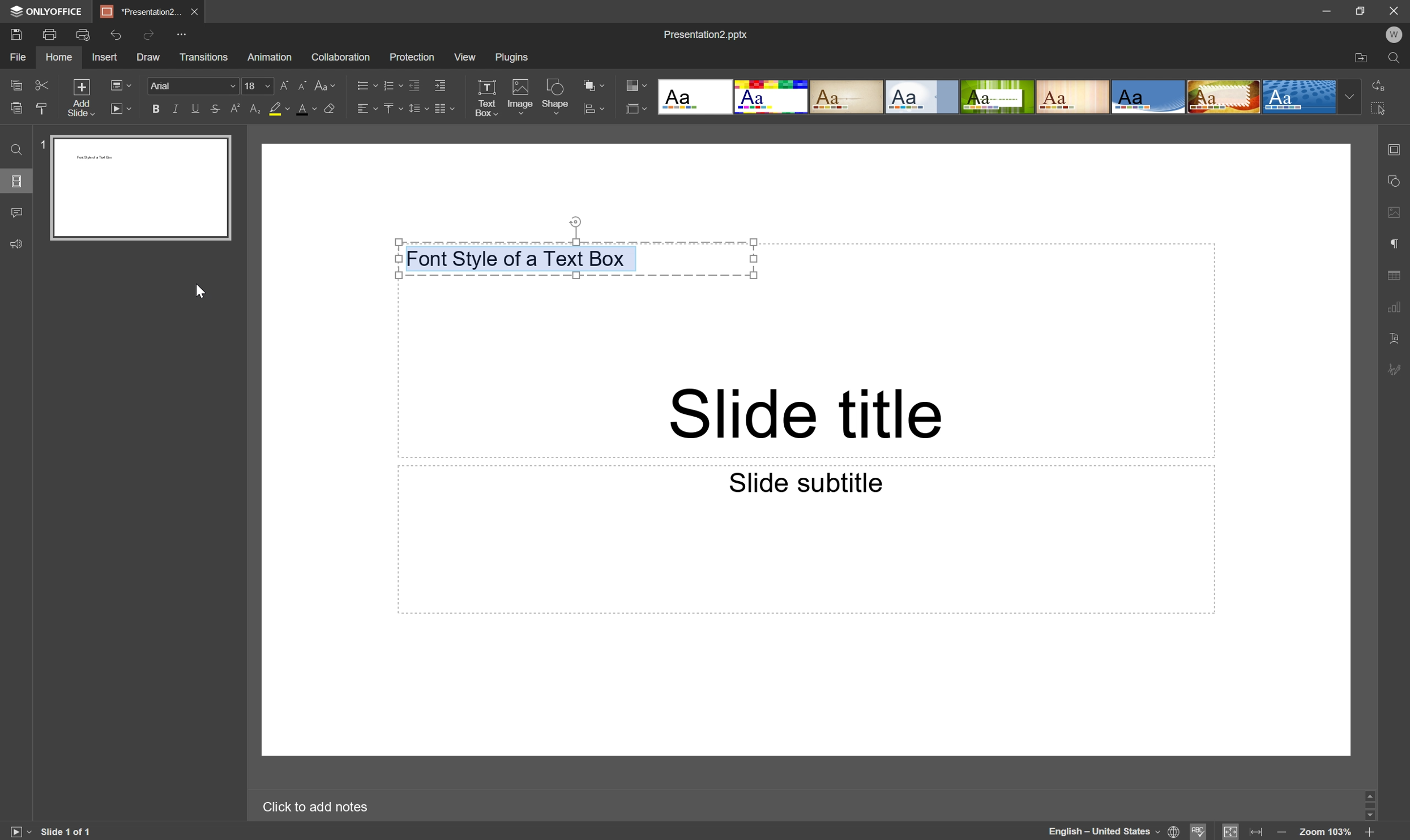  Describe the element at coordinates (1259, 832) in the screenshot. I see `Fit to width` at that location.